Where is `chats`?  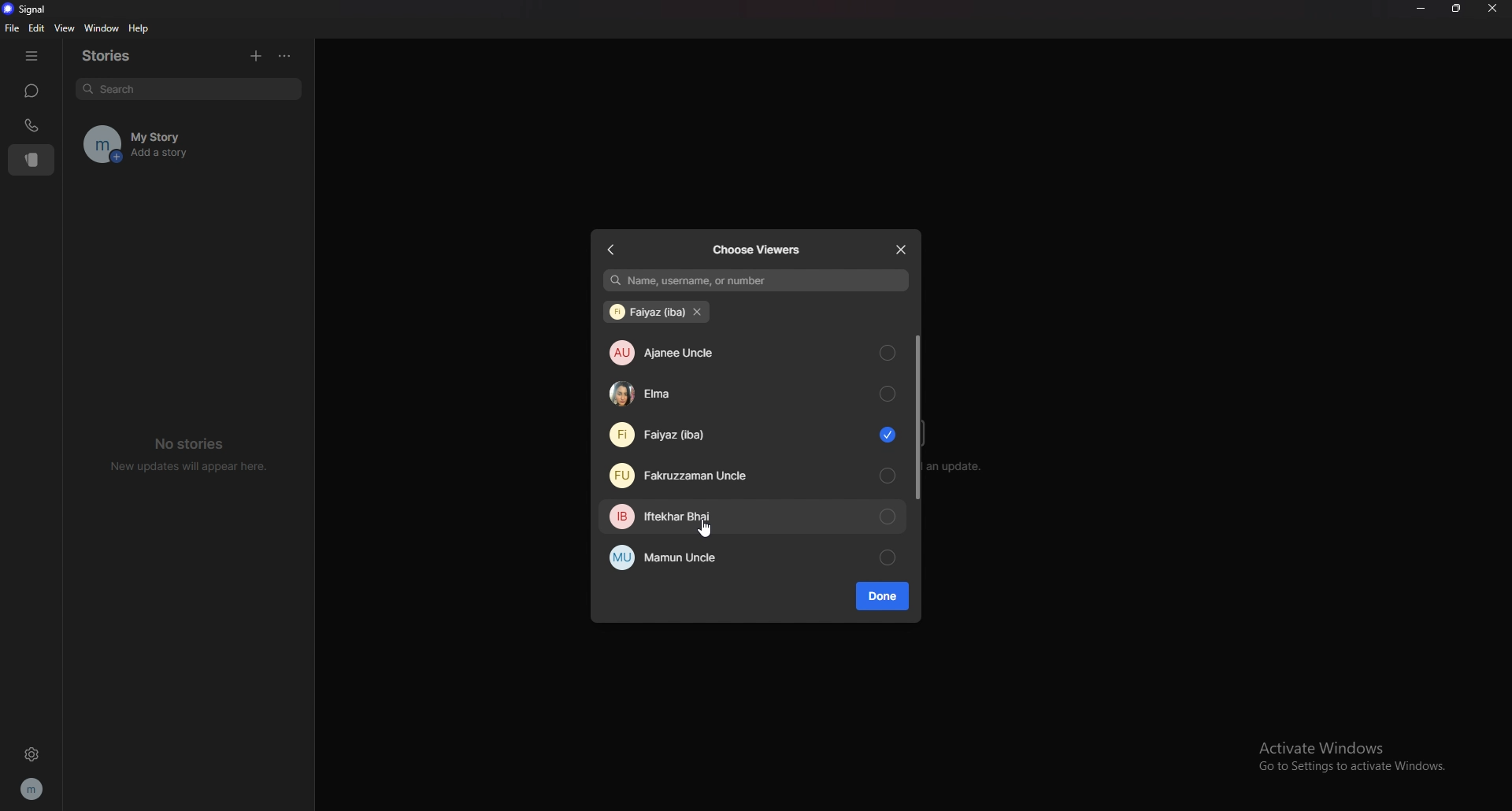
chats is located at coordinates (32, 91).